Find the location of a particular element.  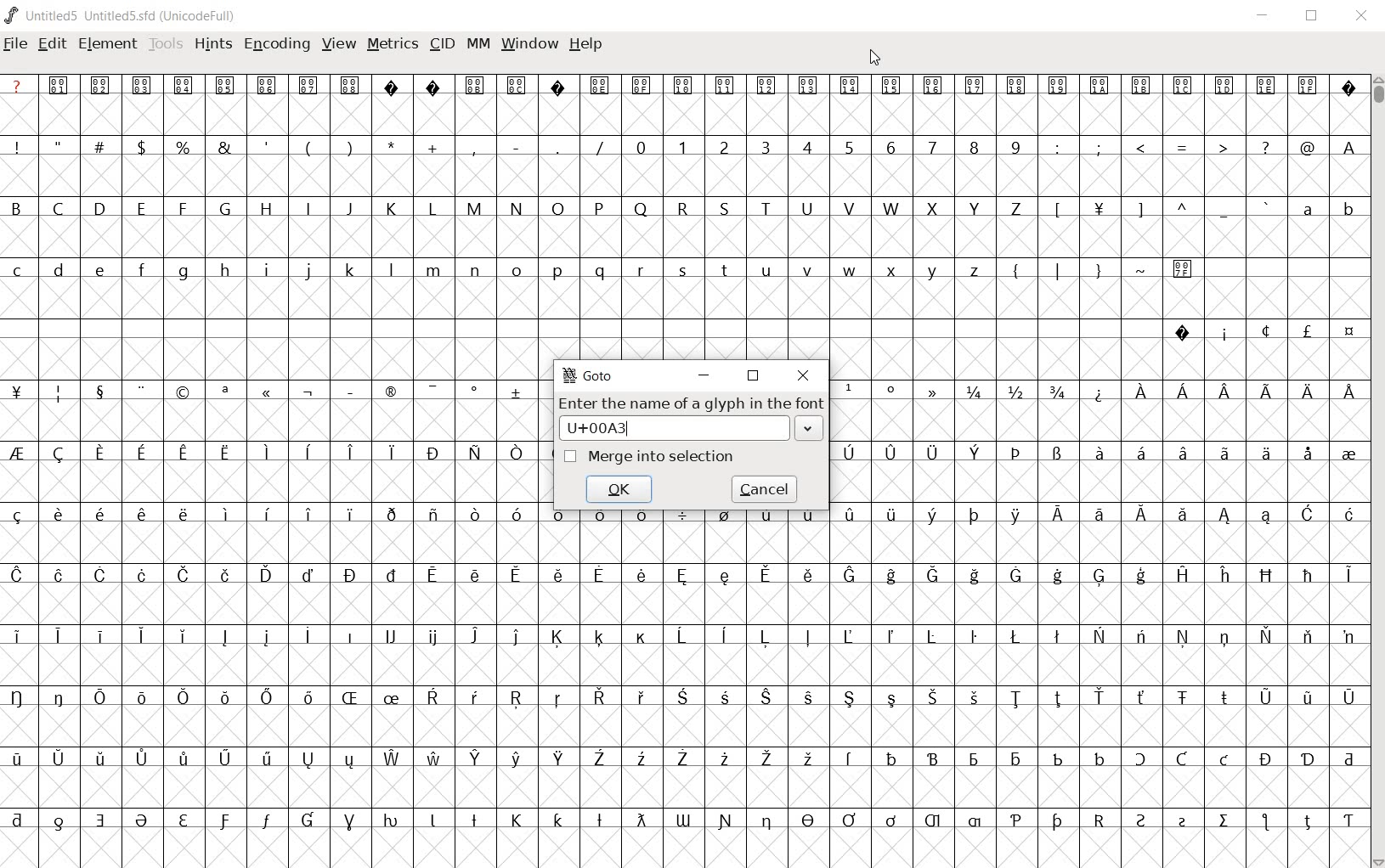

Symbol is located at coordinates (642, 516).